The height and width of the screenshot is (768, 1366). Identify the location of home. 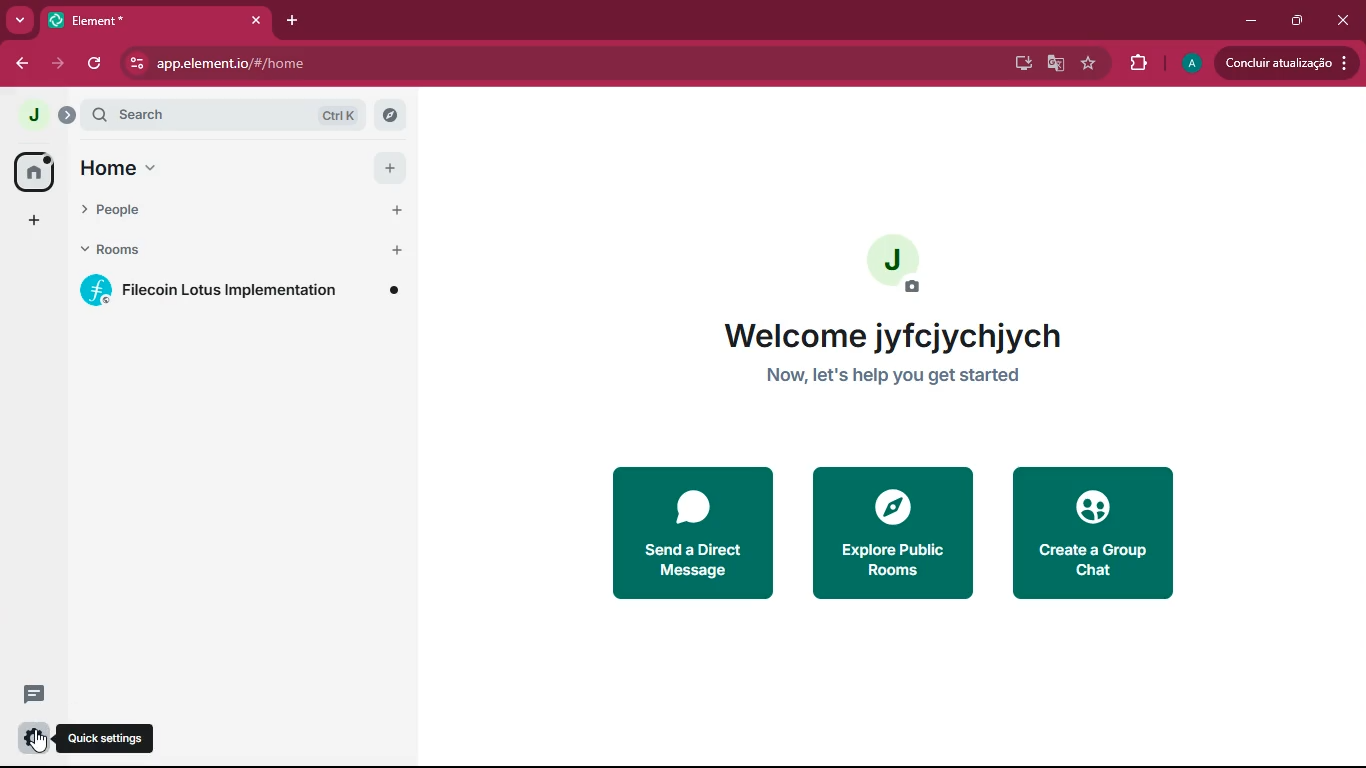
(31, 172).